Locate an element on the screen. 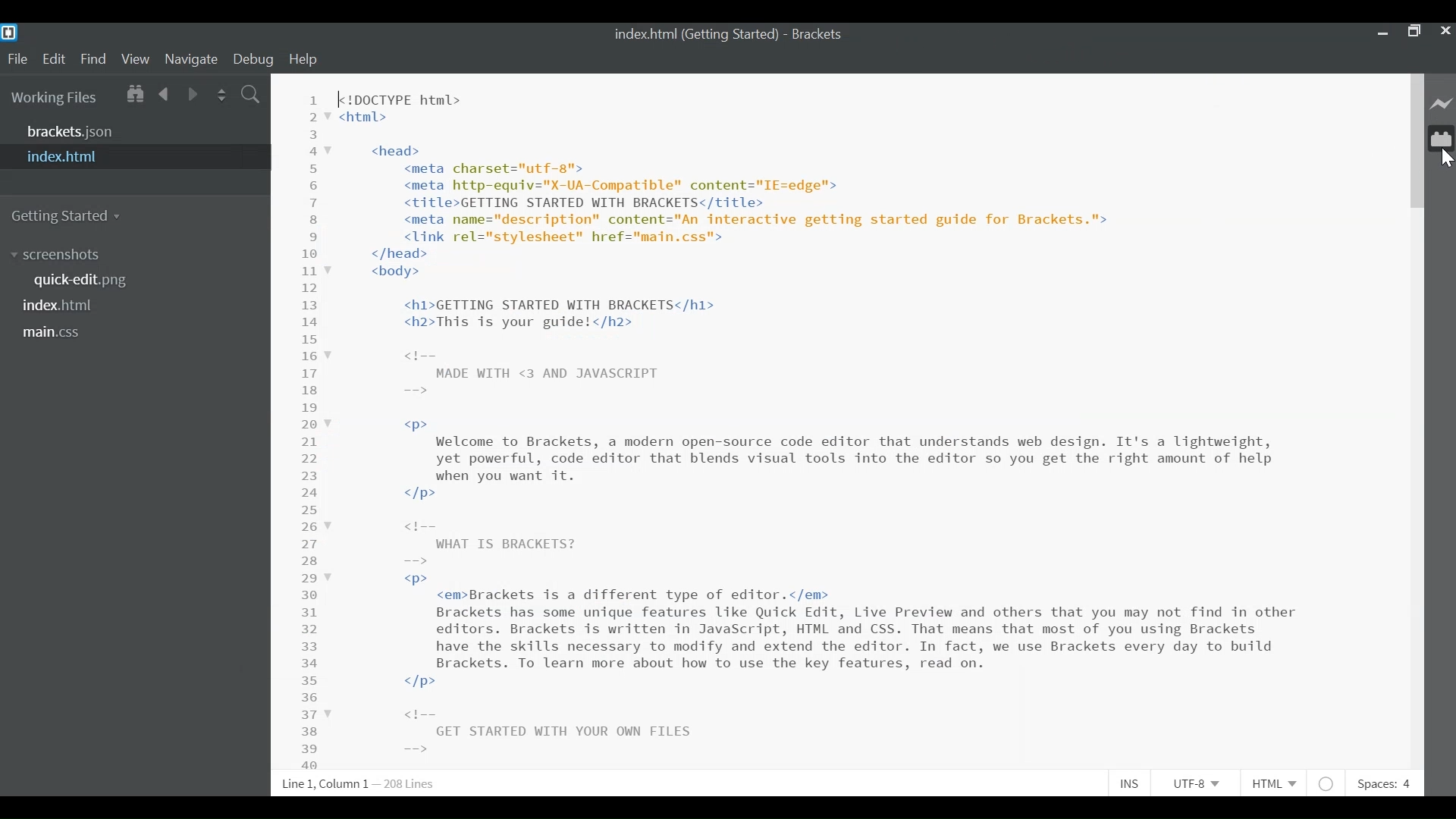  main.css is located at coordinates (66, 334).